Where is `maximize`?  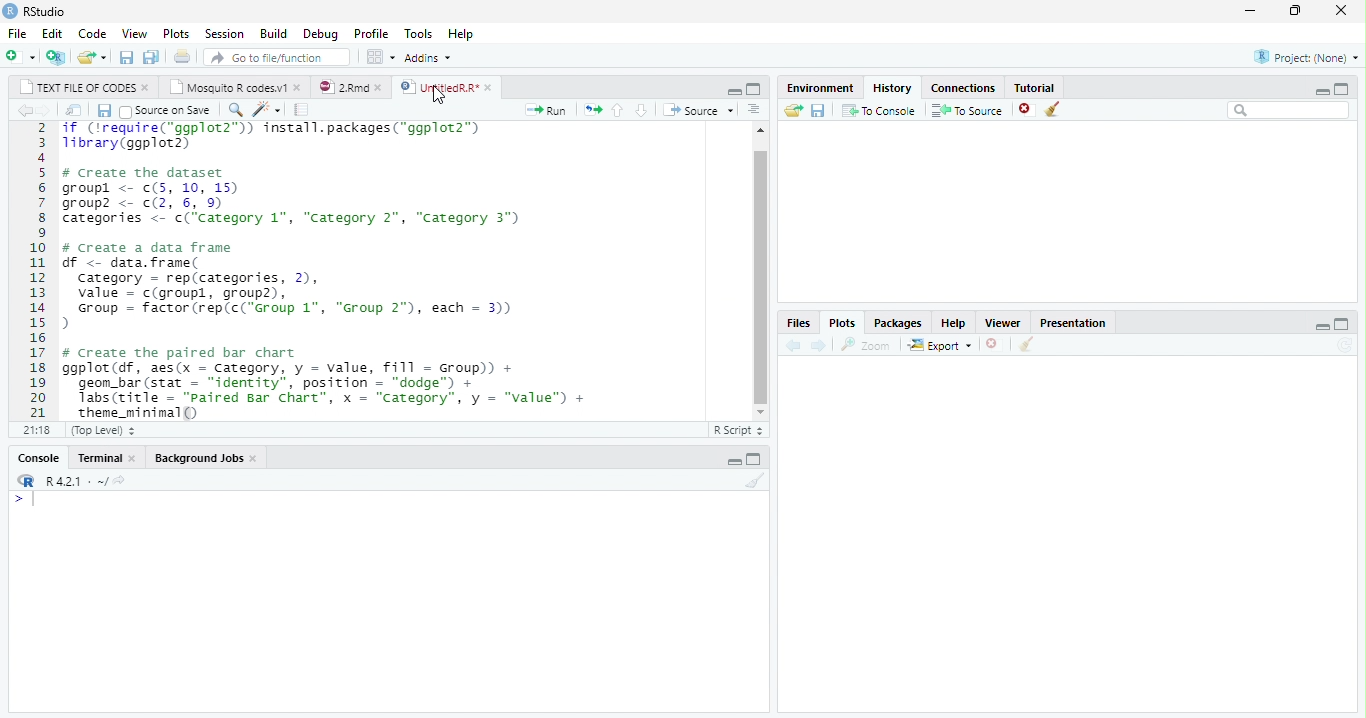
maximize is located at coordinates (1295, 11).